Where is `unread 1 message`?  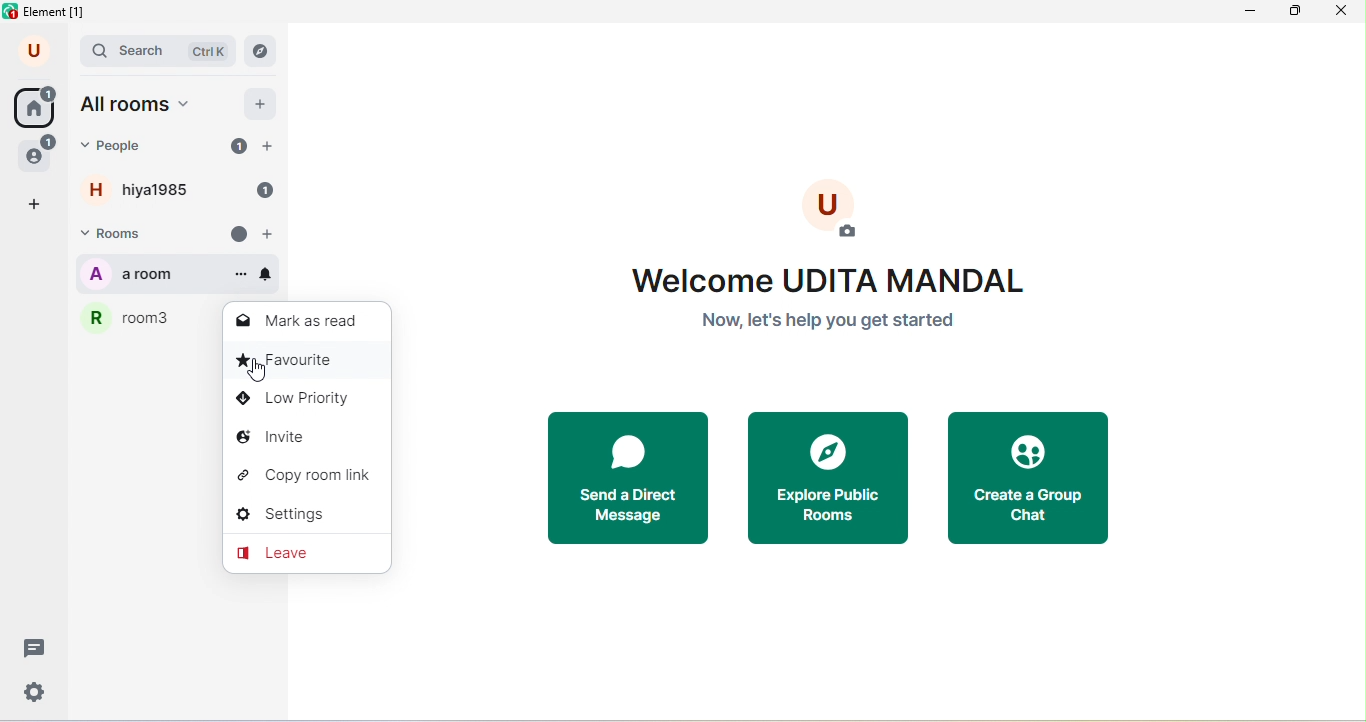
unread 1 message is located at coordinates (238, 145).